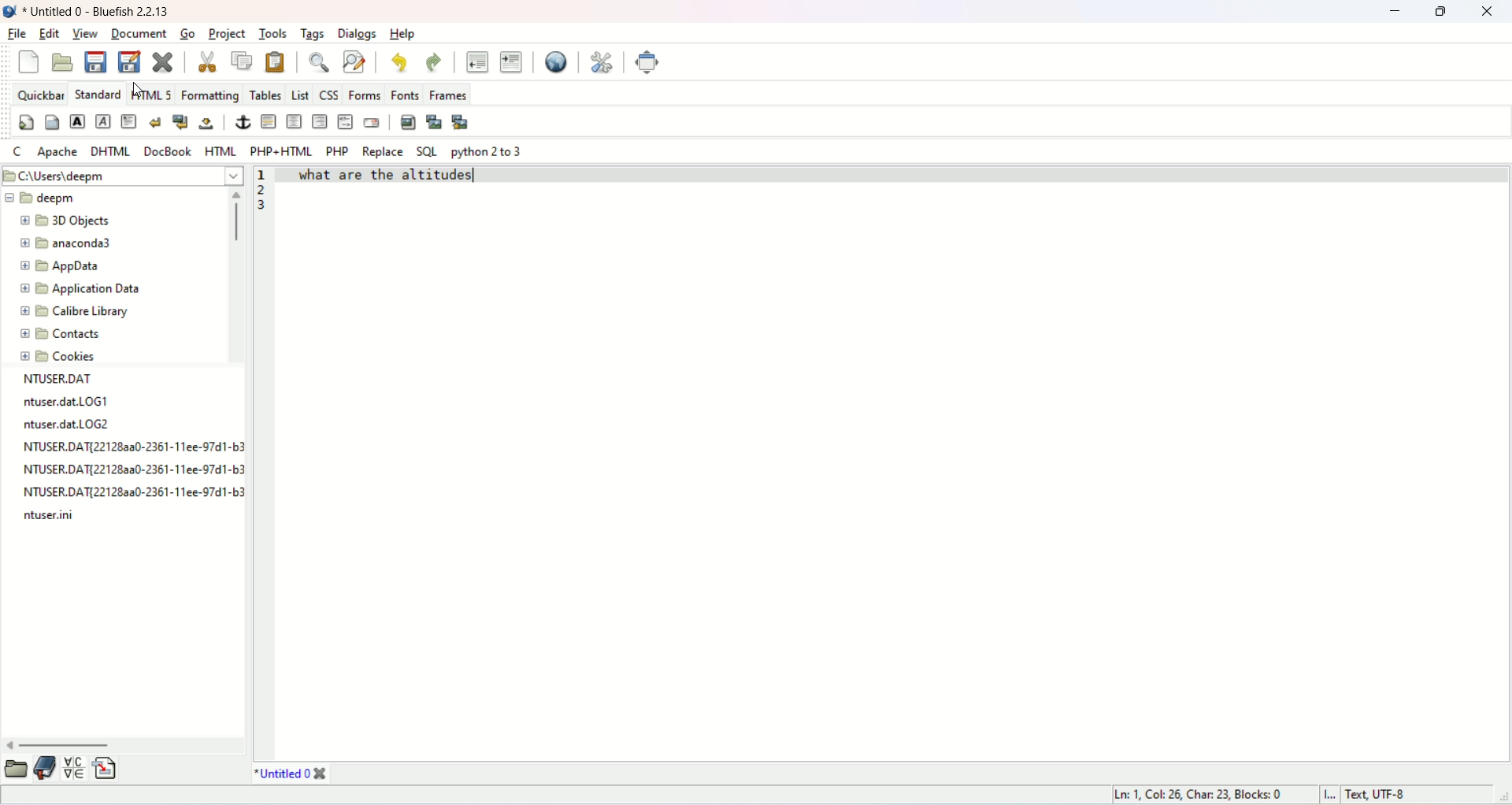 The image size is (1512, 805). What do you see at coordinates (487, 152) in the screenshot?
I see `python 2 to 3` at bounding box center [487, 152].